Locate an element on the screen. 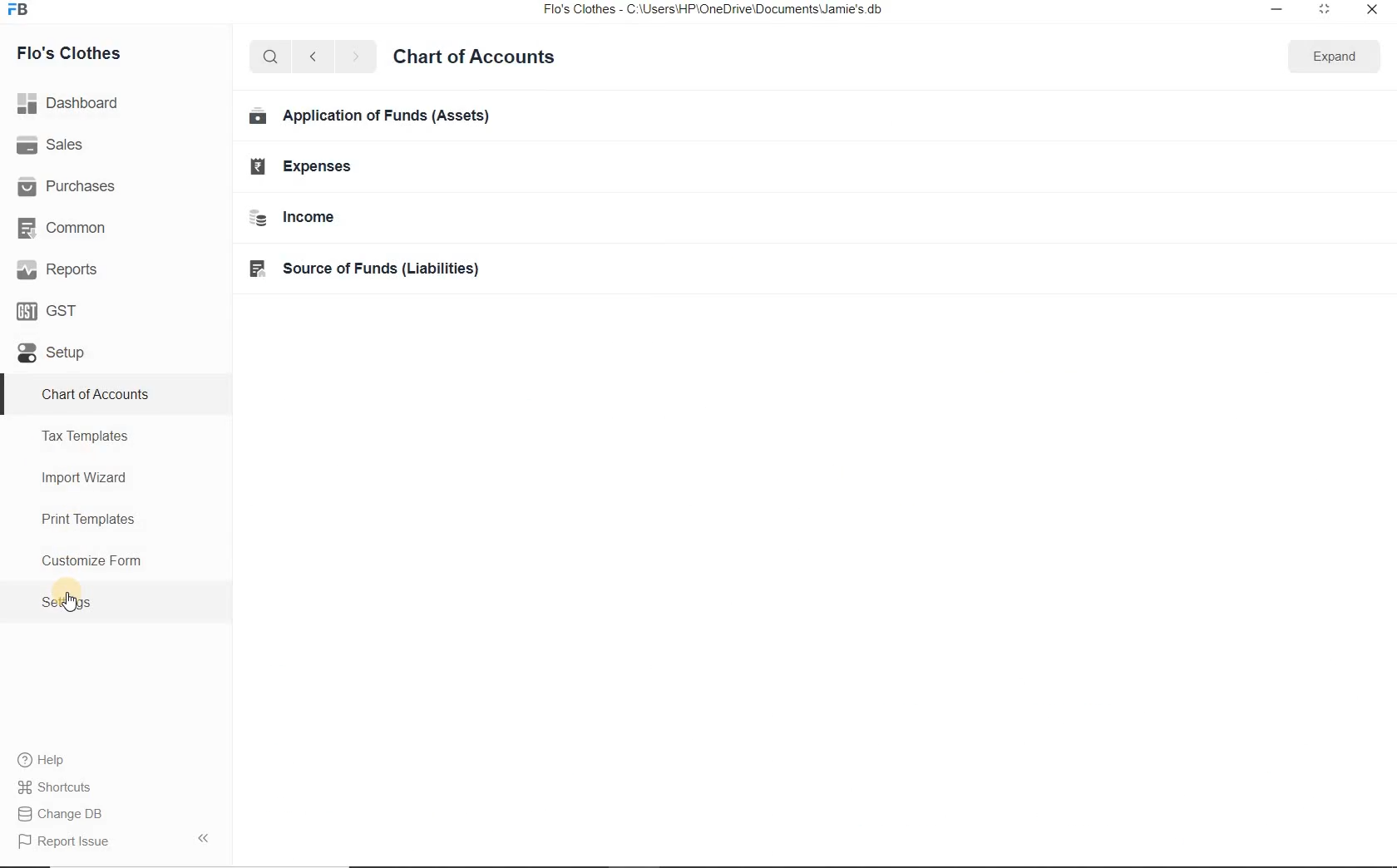 The image size is (1397, 868). BF Source of Funds (Liabilities) is located at coordinates (361, 267).